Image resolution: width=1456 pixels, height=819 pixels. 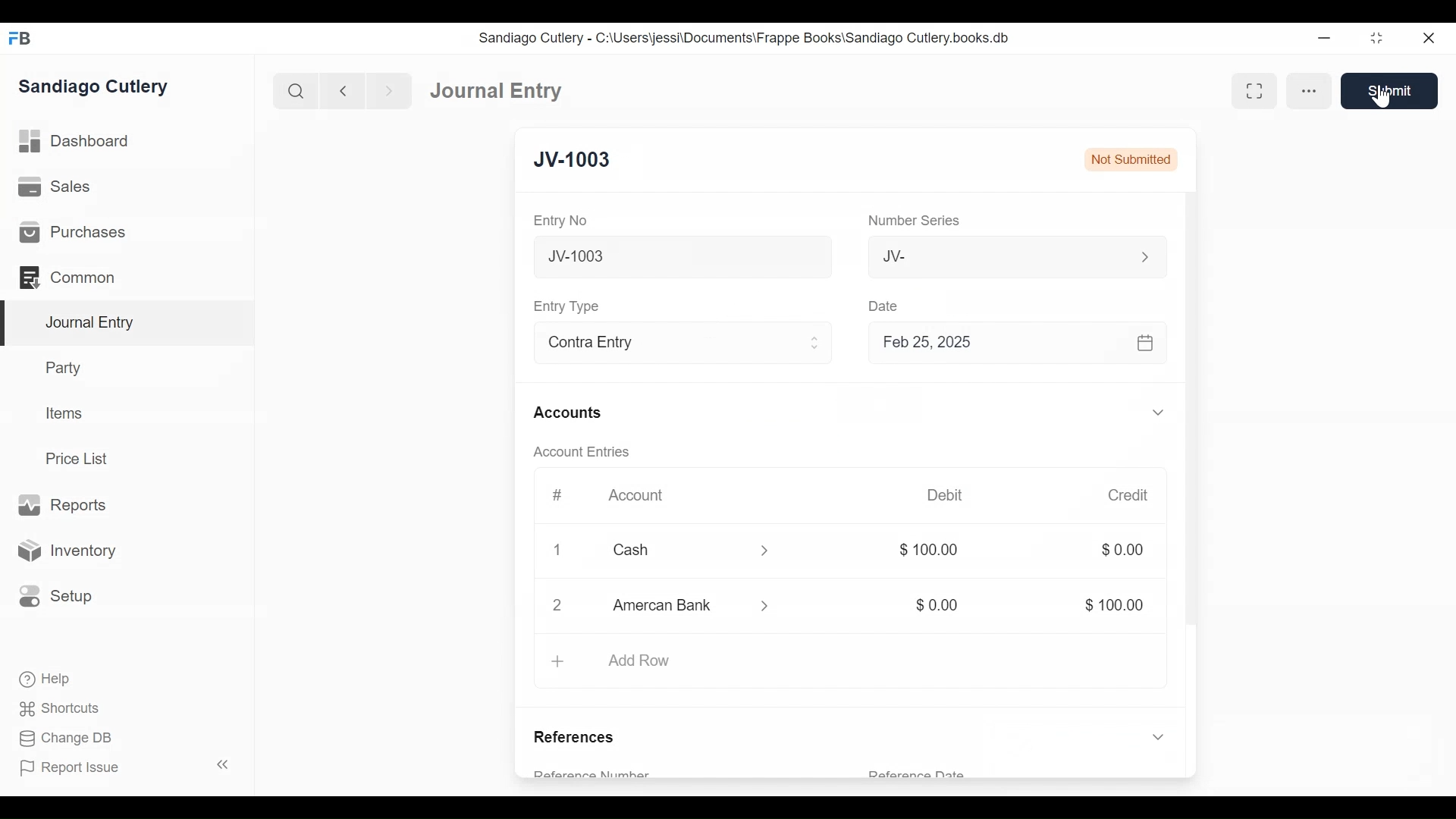 I want to click on Party, so click(x=61, y=368).